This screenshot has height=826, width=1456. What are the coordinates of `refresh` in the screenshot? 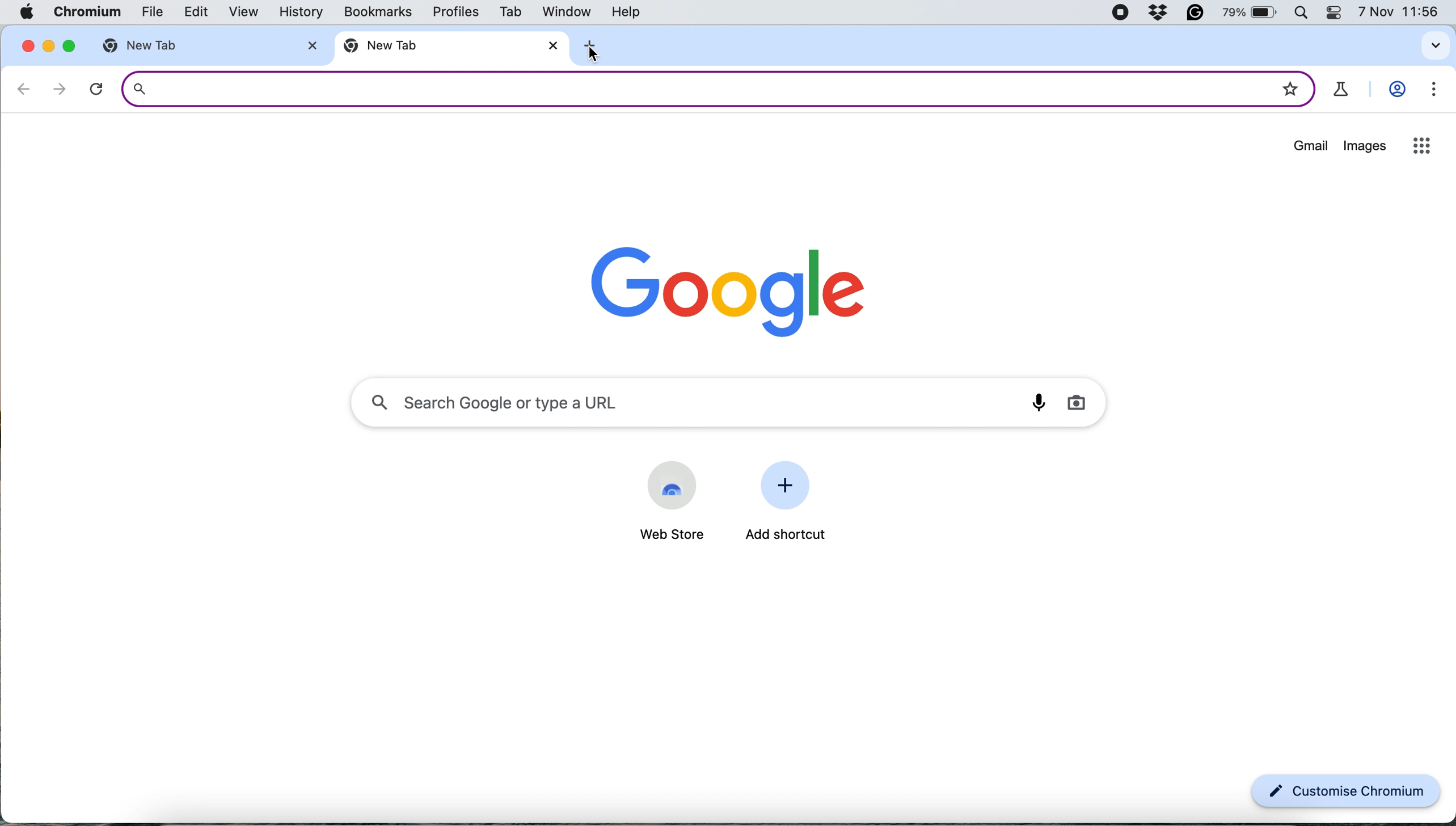 It's located at (96, 89).